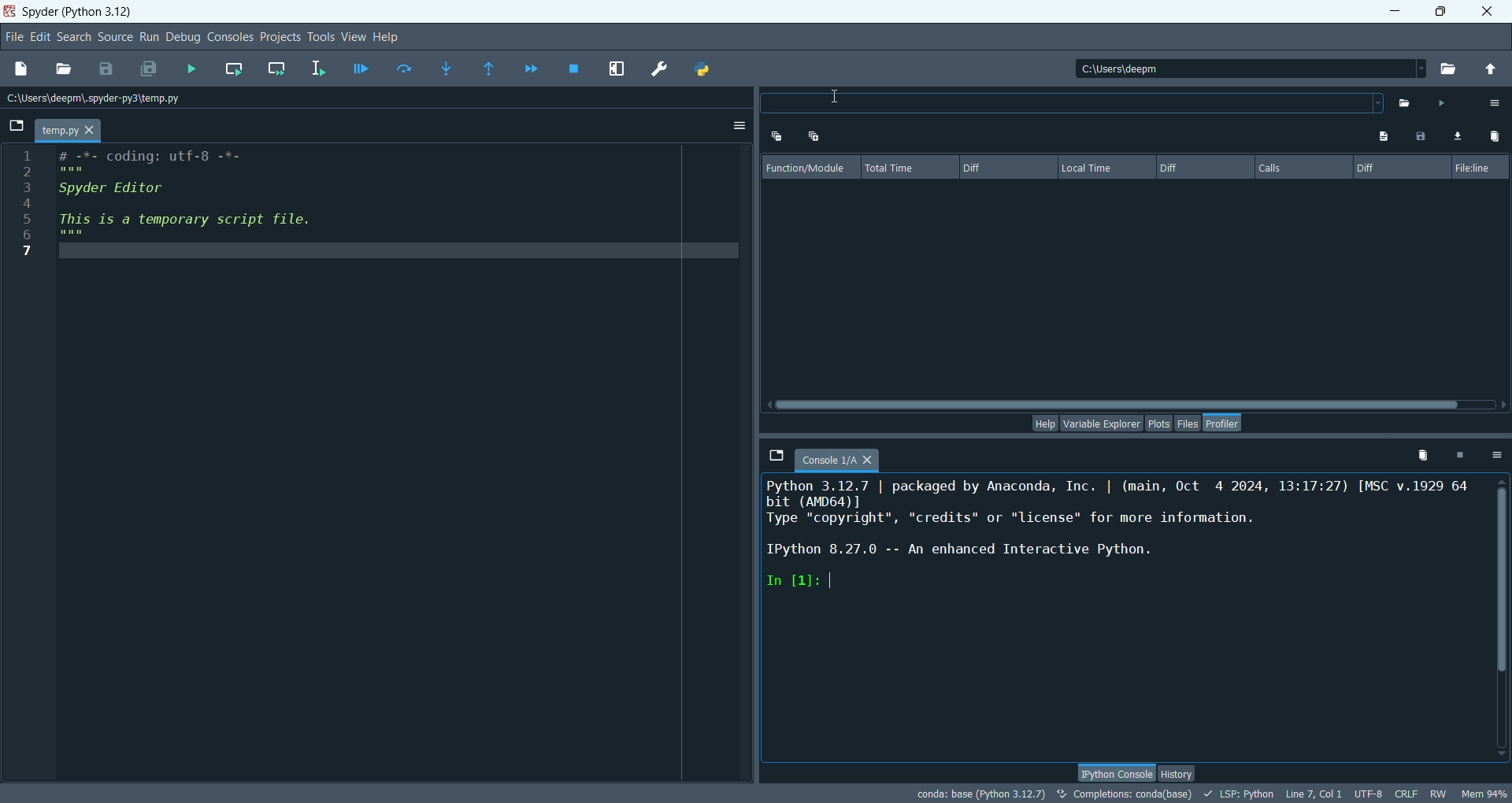  I want to click on maximize, so click(1440, 9).